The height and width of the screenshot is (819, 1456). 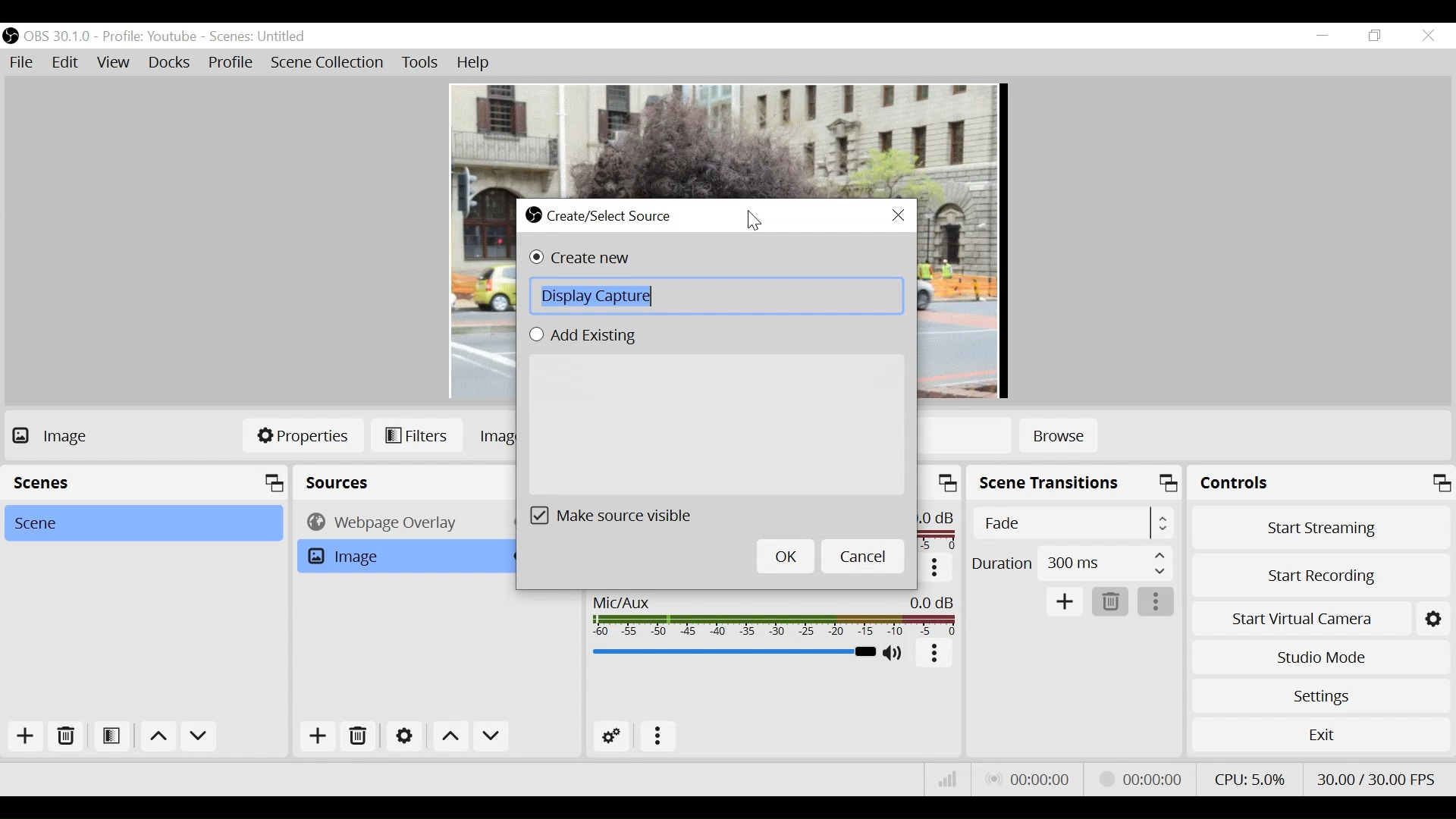 What do you see at coordinates (1321, 482) in the screenshot?
I see `Control Panel` at bounding box center [1321, 482].